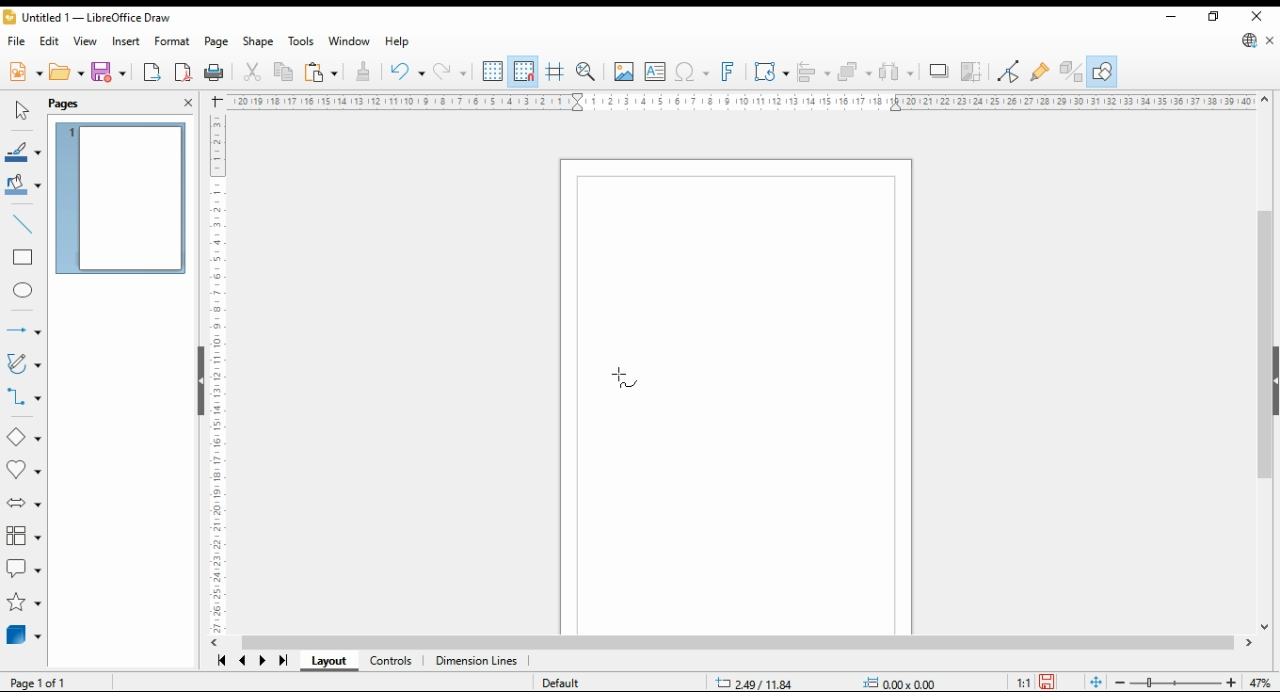 This screenshot has height=692, width=1280. What do you see at coordinates (87, 40) in the screenshot?
I see `view` at bounding box center [87, 40].